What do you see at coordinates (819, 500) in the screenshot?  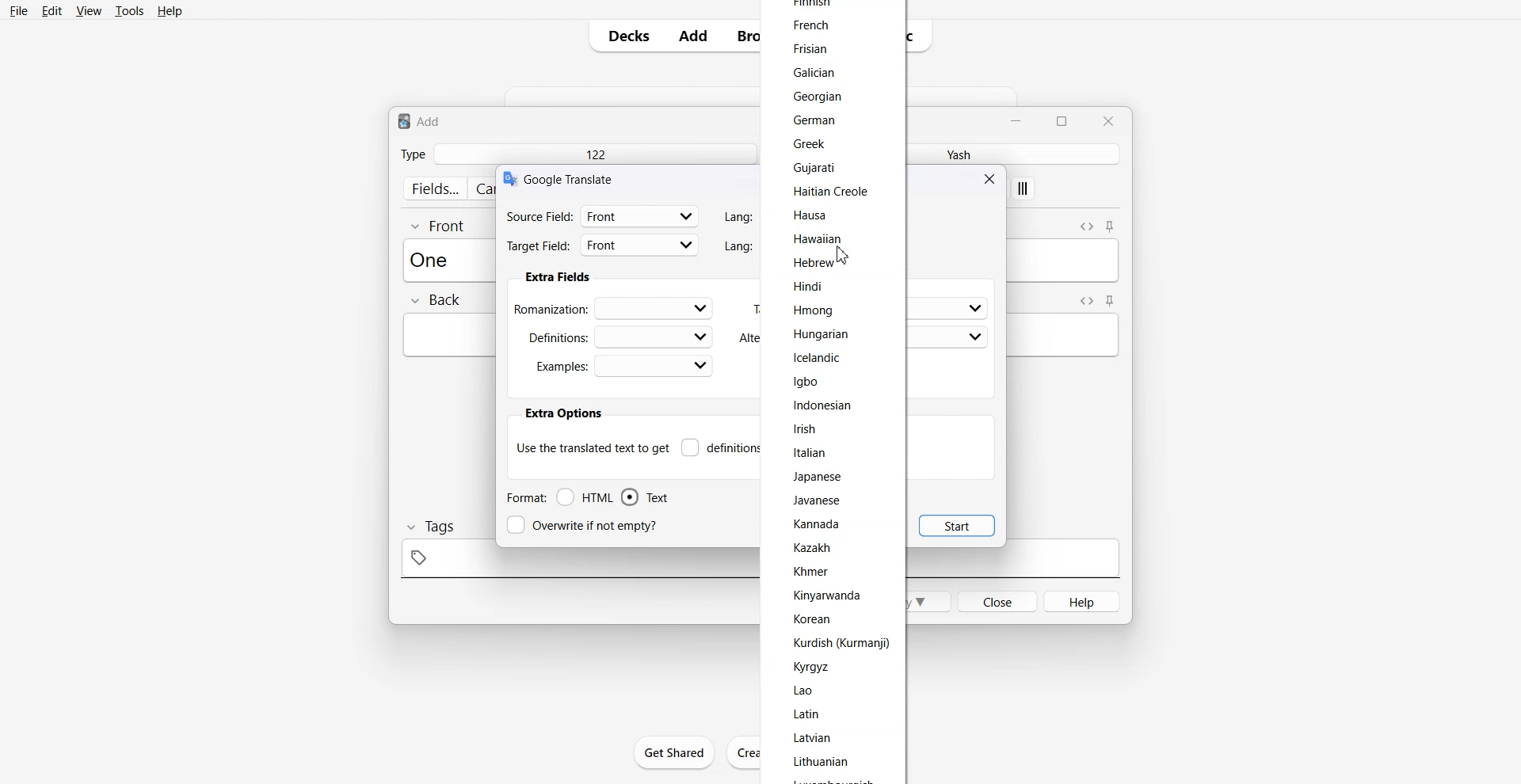 I see `Javanese` at bounding box center [819, 500].